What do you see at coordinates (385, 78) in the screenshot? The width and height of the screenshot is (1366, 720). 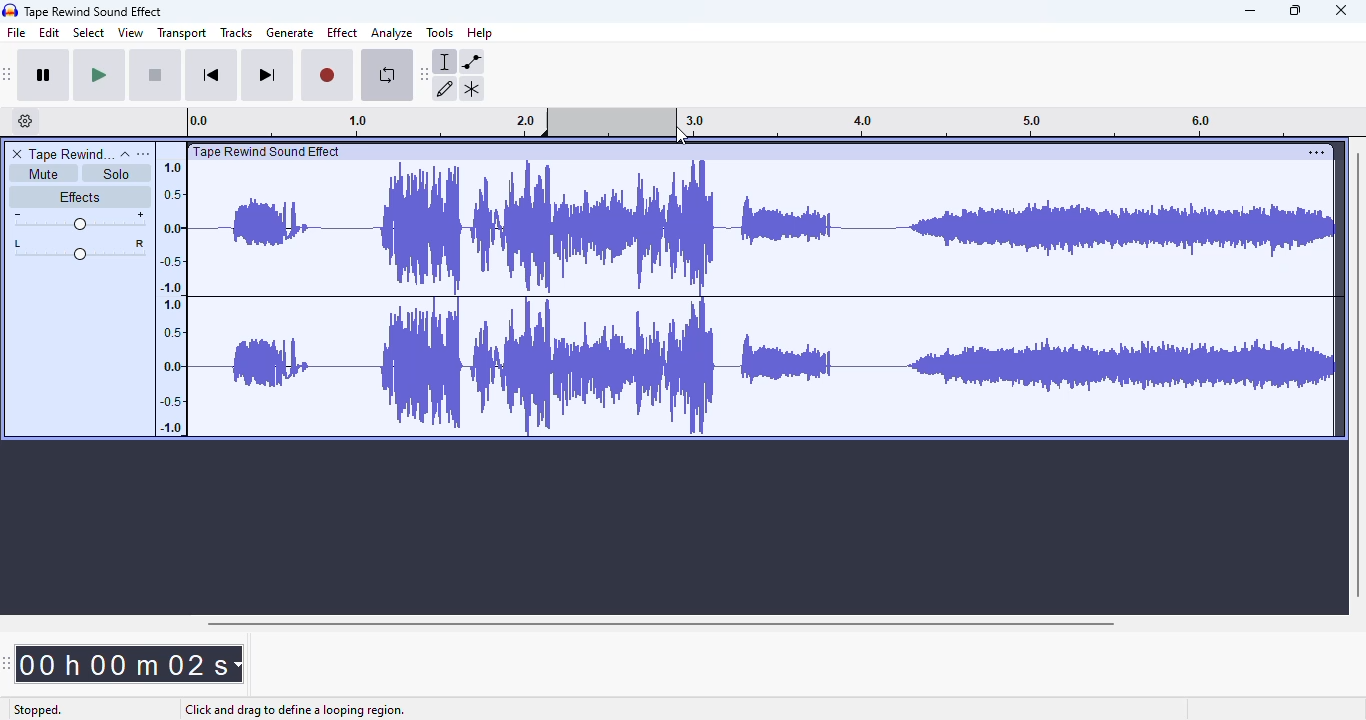 I see `enable looping` at bounding box center [385, 78].